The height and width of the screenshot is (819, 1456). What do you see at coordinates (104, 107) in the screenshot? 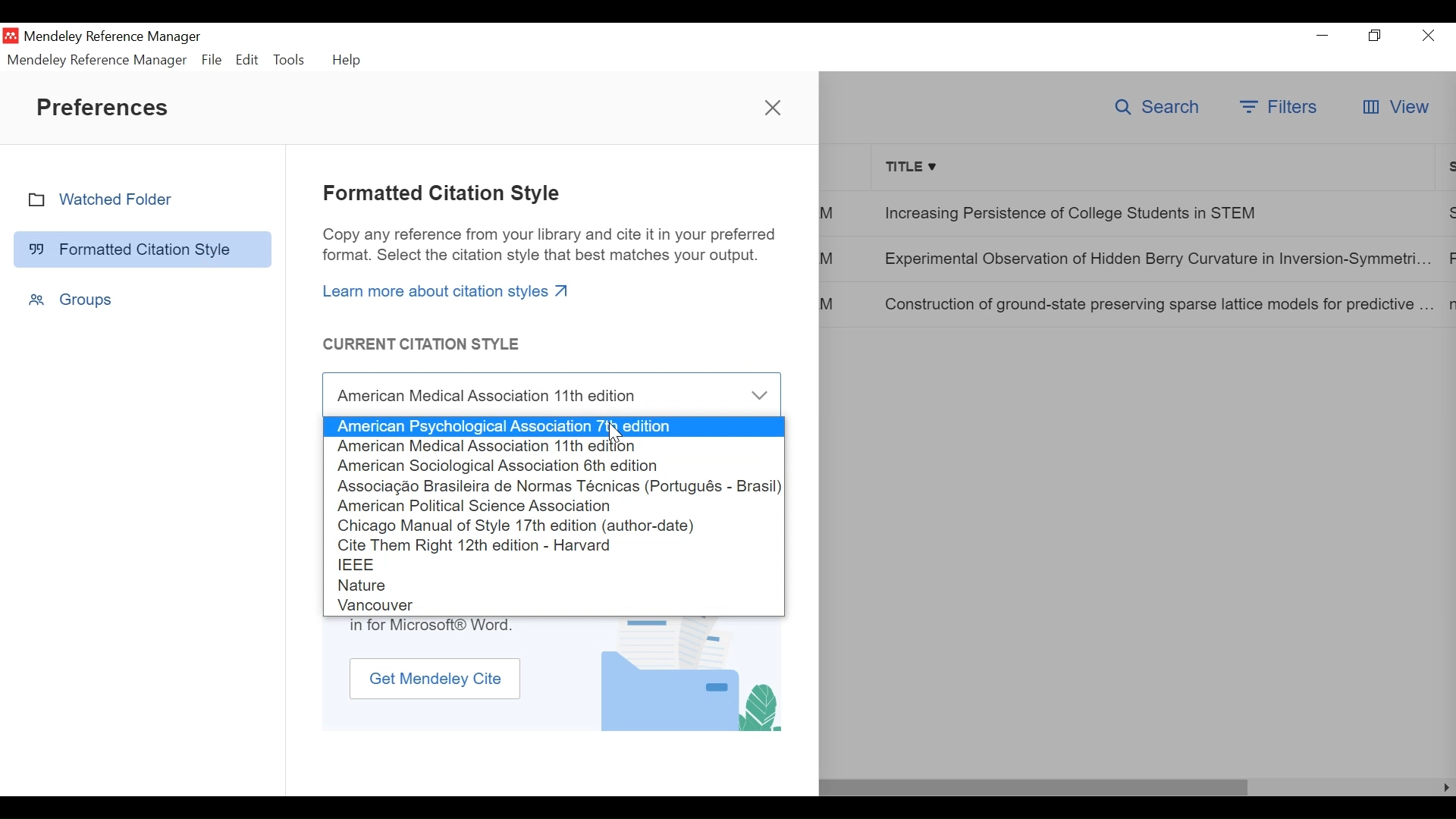
I see `Preferences` at bounding box center [104, 107].